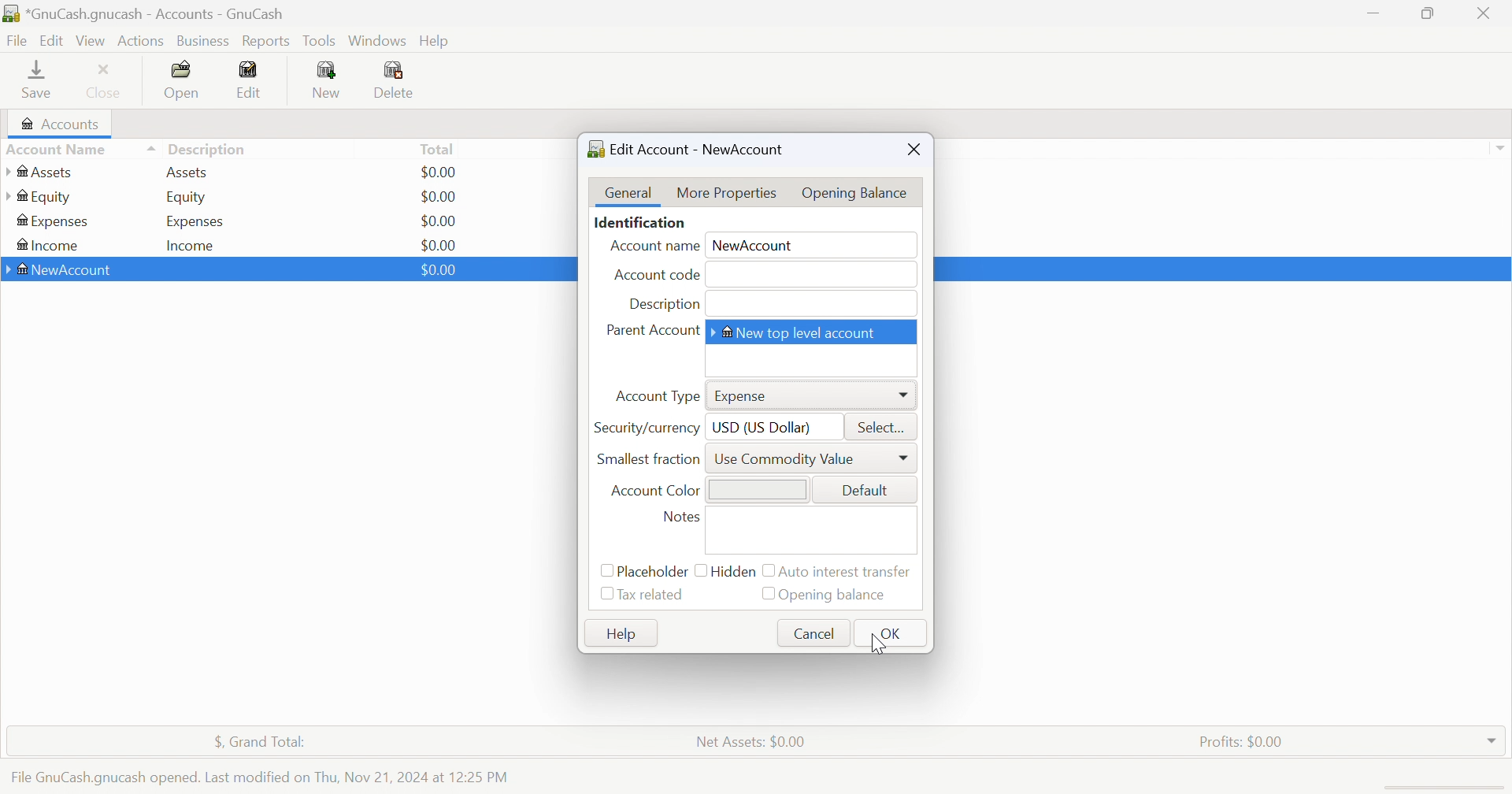  What do you see at coordinates (760, 244) in the screenshot?
I see `NewAccount` at bounding box center [760, 244].